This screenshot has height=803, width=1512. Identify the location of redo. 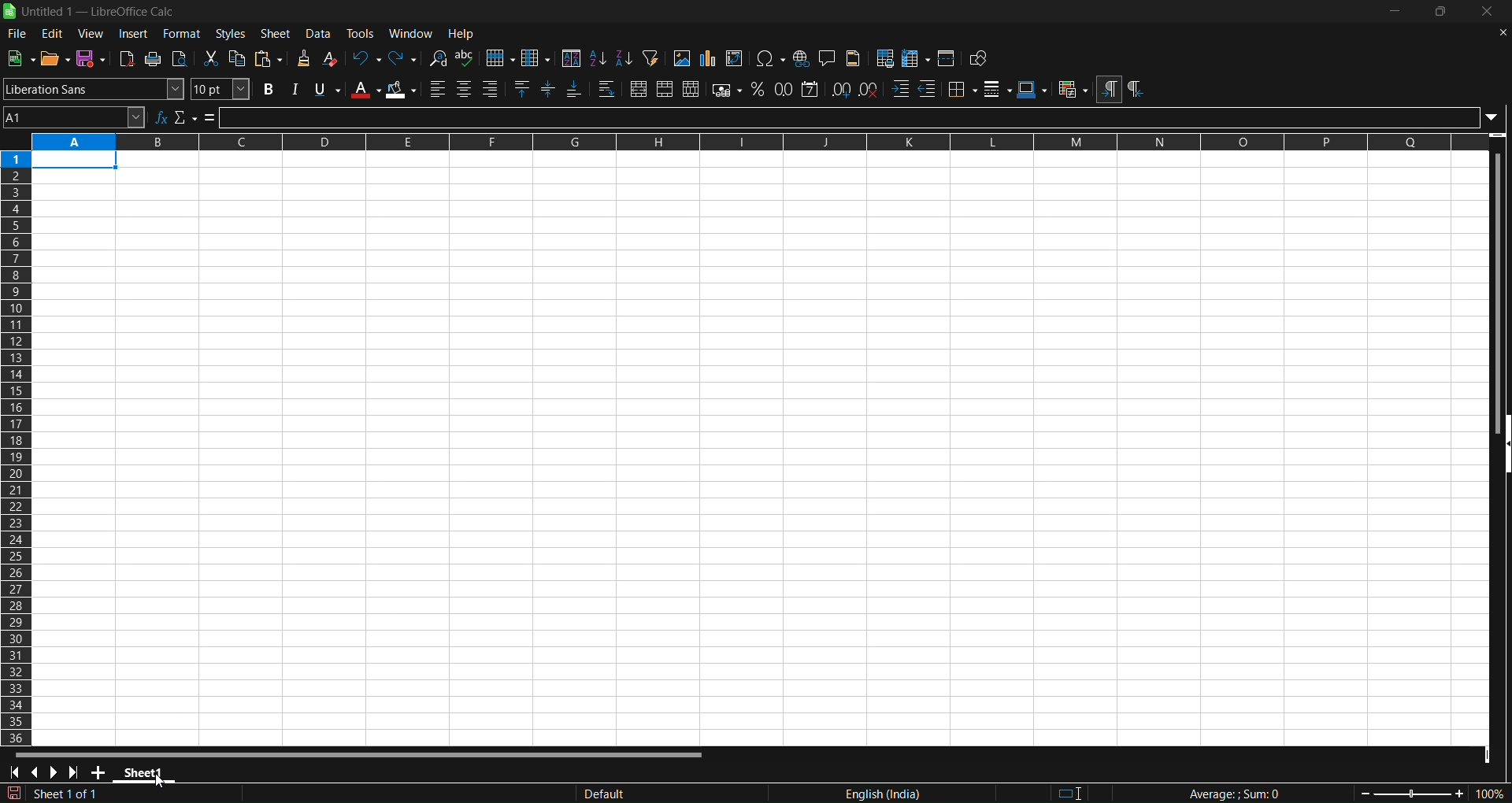
(404, 57).